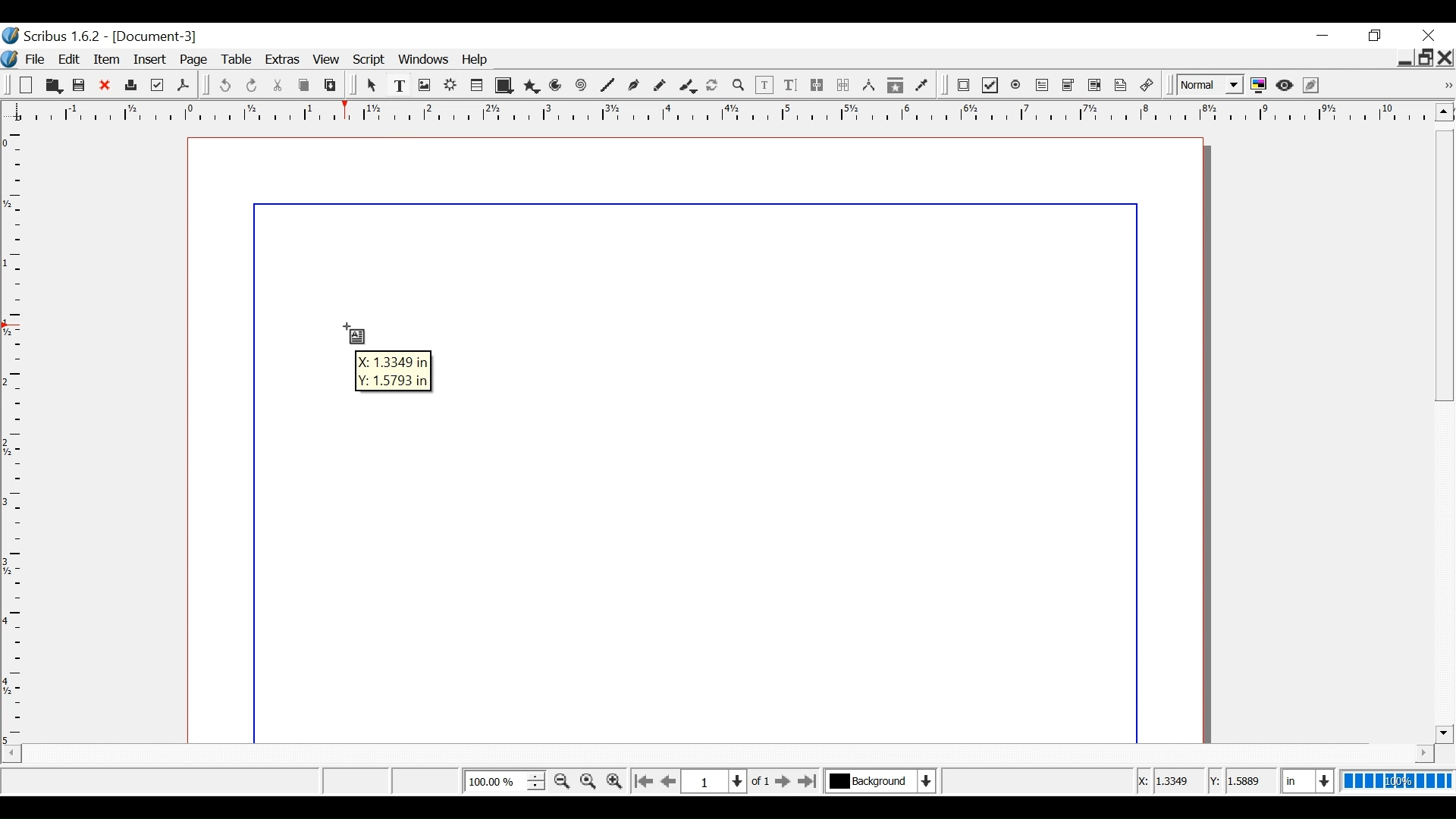 The width and height of the screenshot is (1456, 819). I want to click on Adjust Zoom, so click(506, 780).